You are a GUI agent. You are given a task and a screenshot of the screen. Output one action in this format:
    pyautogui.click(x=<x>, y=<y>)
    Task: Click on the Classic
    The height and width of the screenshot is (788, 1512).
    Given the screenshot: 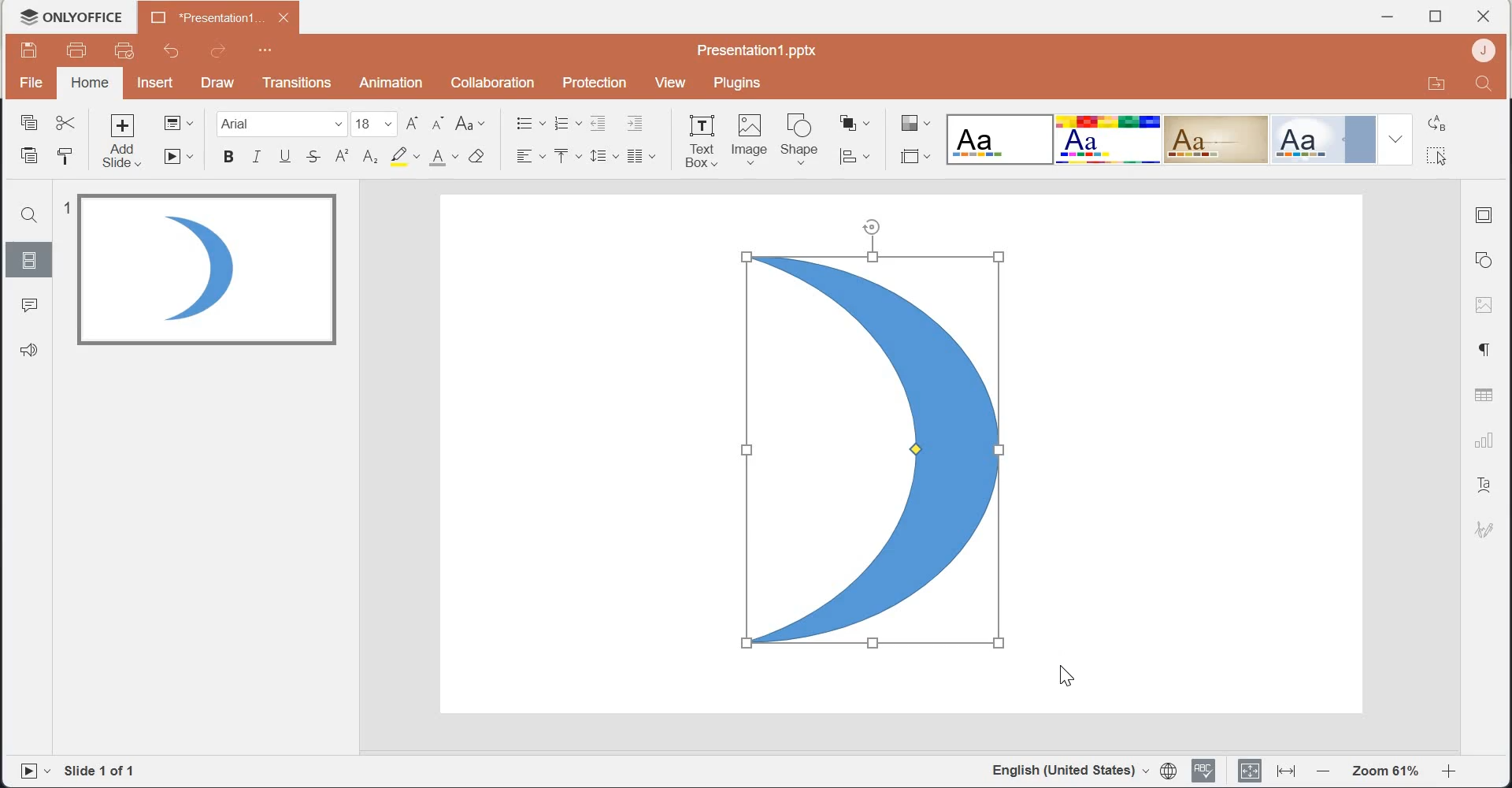 What is the action you would take?
    pyautogui.click(x=1217, y=139)
    